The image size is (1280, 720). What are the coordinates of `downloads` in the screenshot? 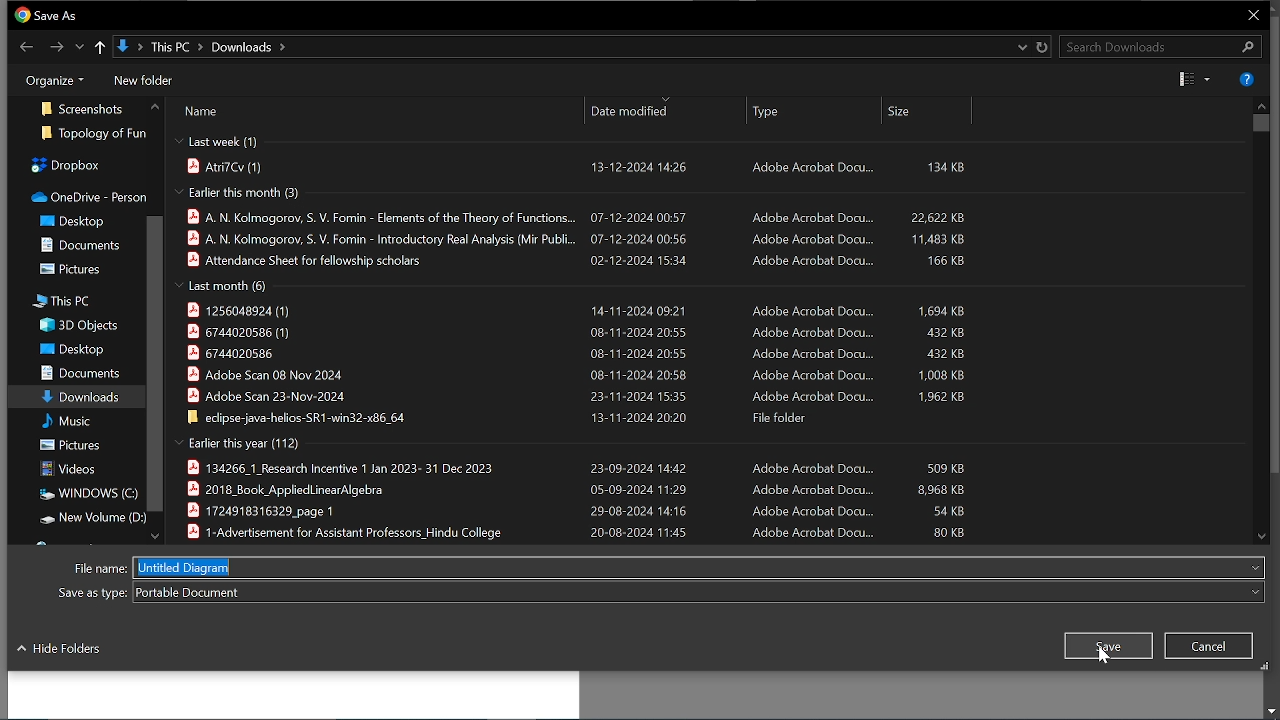 It's located at (75, 396).